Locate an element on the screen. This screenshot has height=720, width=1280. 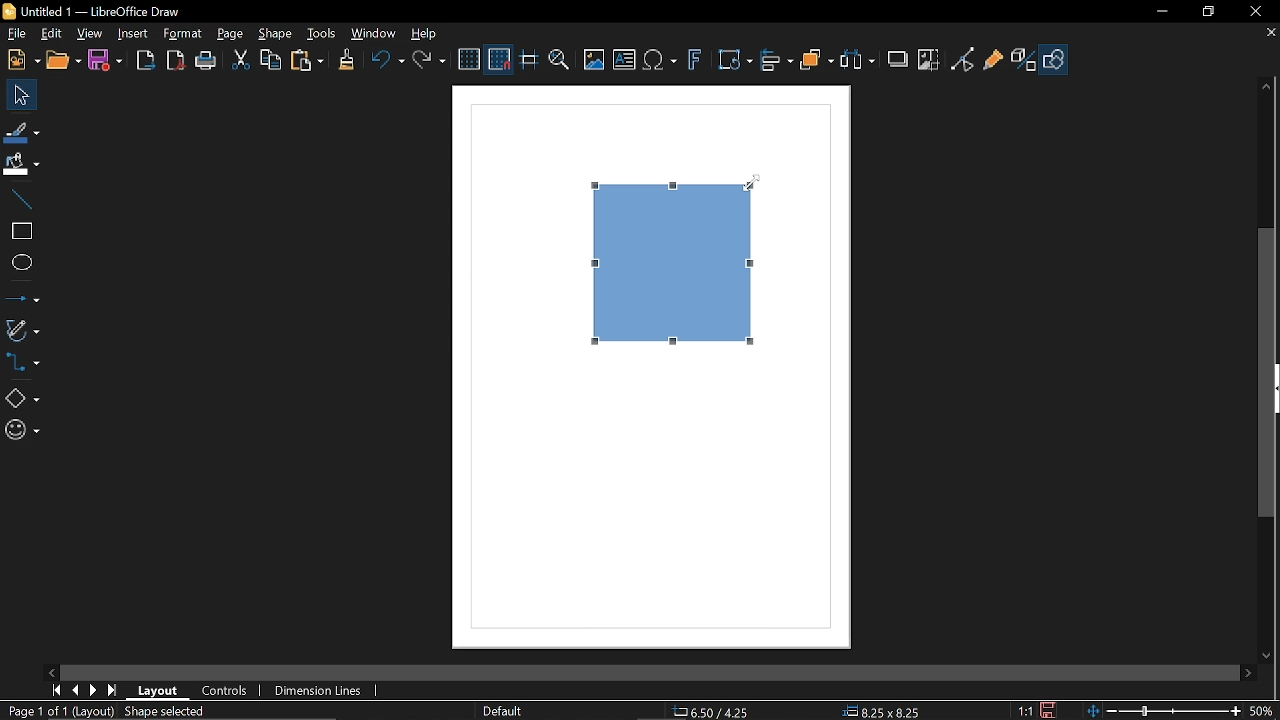
Dimension lines is located at coordinates (317, 691).